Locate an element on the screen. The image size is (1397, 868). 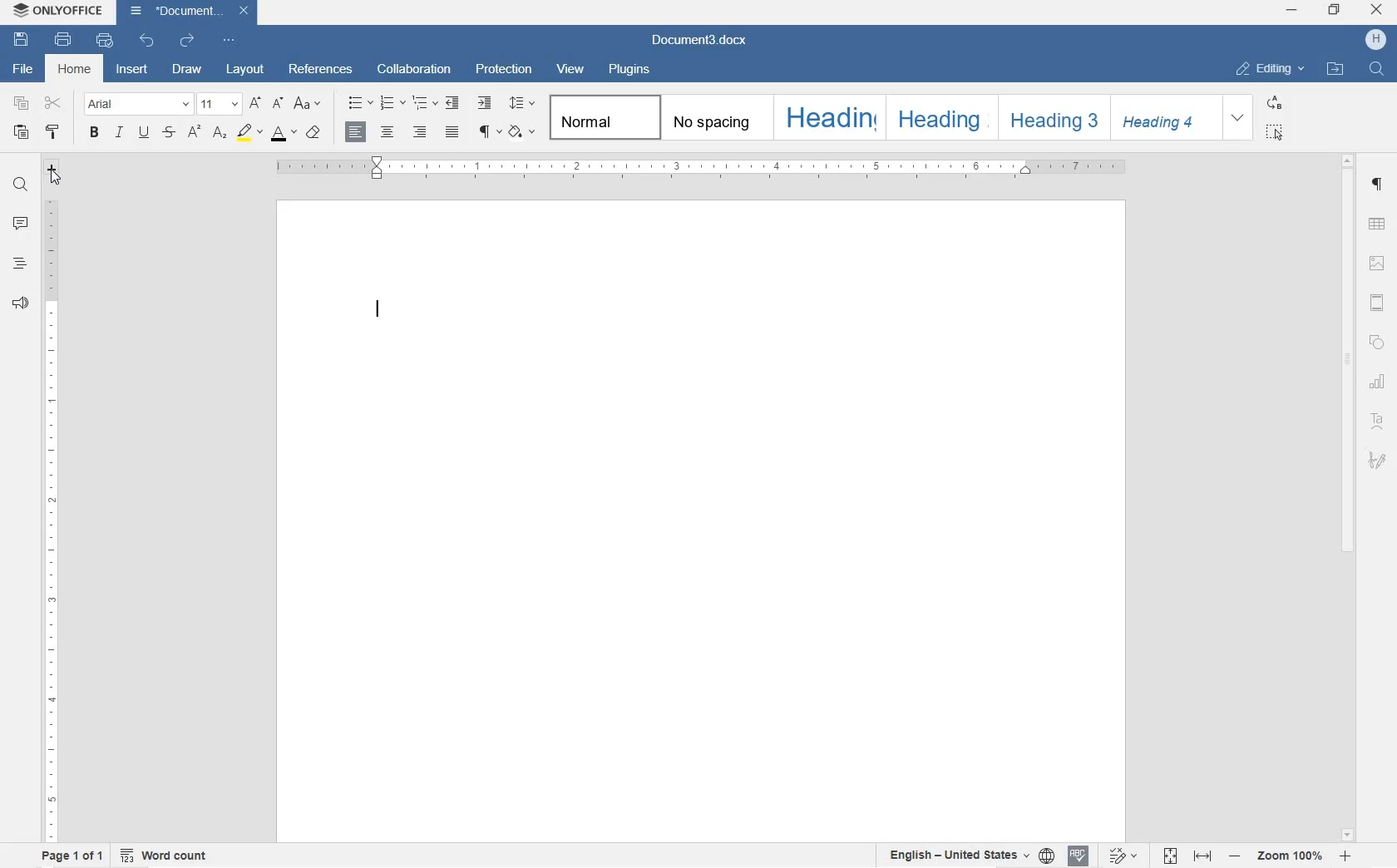
SET TEXT OR DOCUMENT LANGUAGE is located at coordinates (965, 855).